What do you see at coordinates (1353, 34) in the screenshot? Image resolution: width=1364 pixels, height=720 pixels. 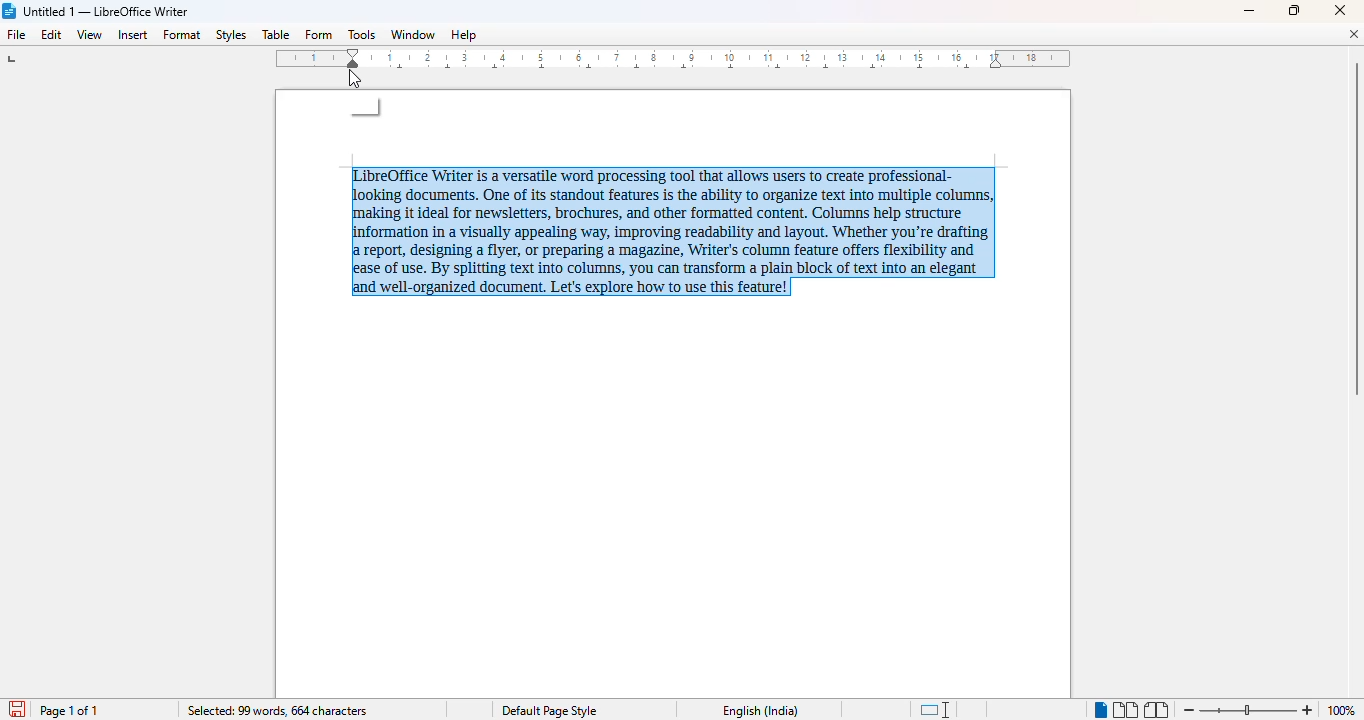 I see `close document` at bounding box center [1353, 34].